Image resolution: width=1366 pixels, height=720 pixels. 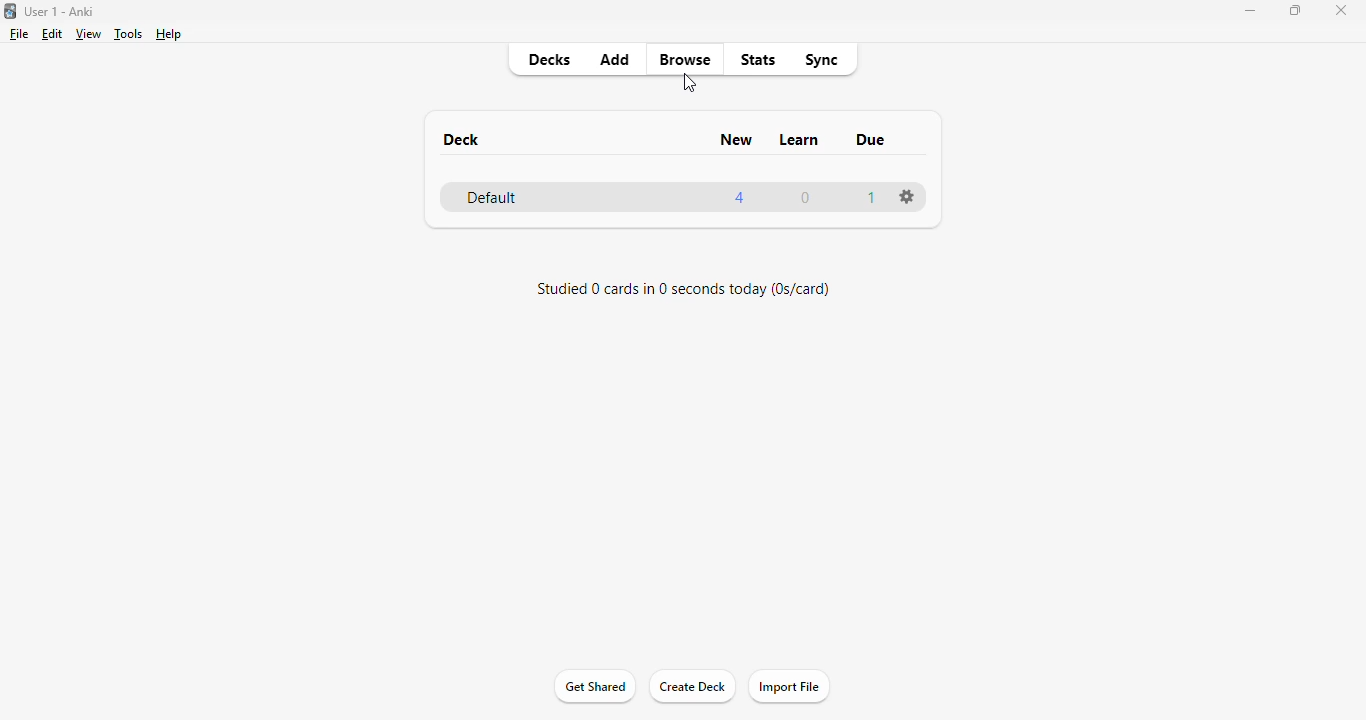 I want to click on edit, so click(x=53, y=34).